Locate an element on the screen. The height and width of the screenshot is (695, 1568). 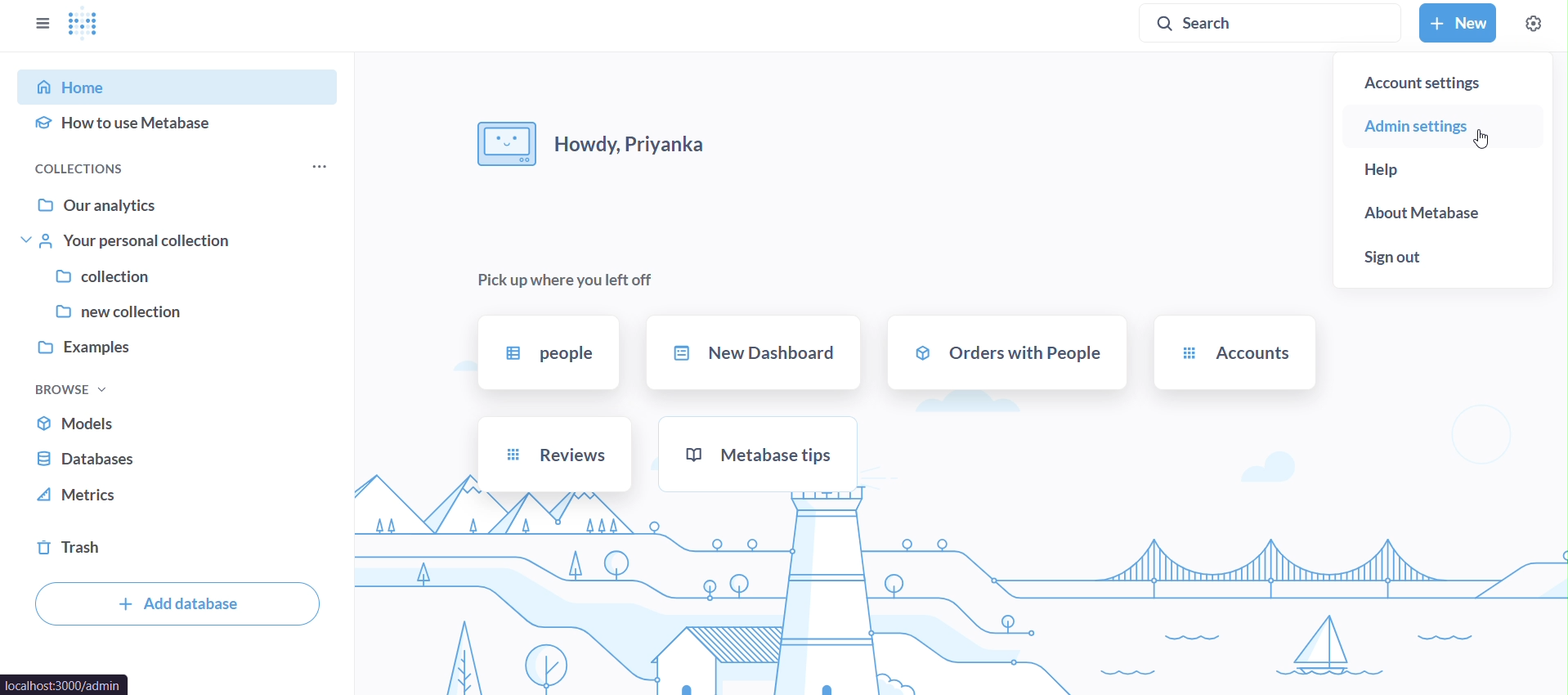
howdy, priyanka is located at coordinates (594, 146).